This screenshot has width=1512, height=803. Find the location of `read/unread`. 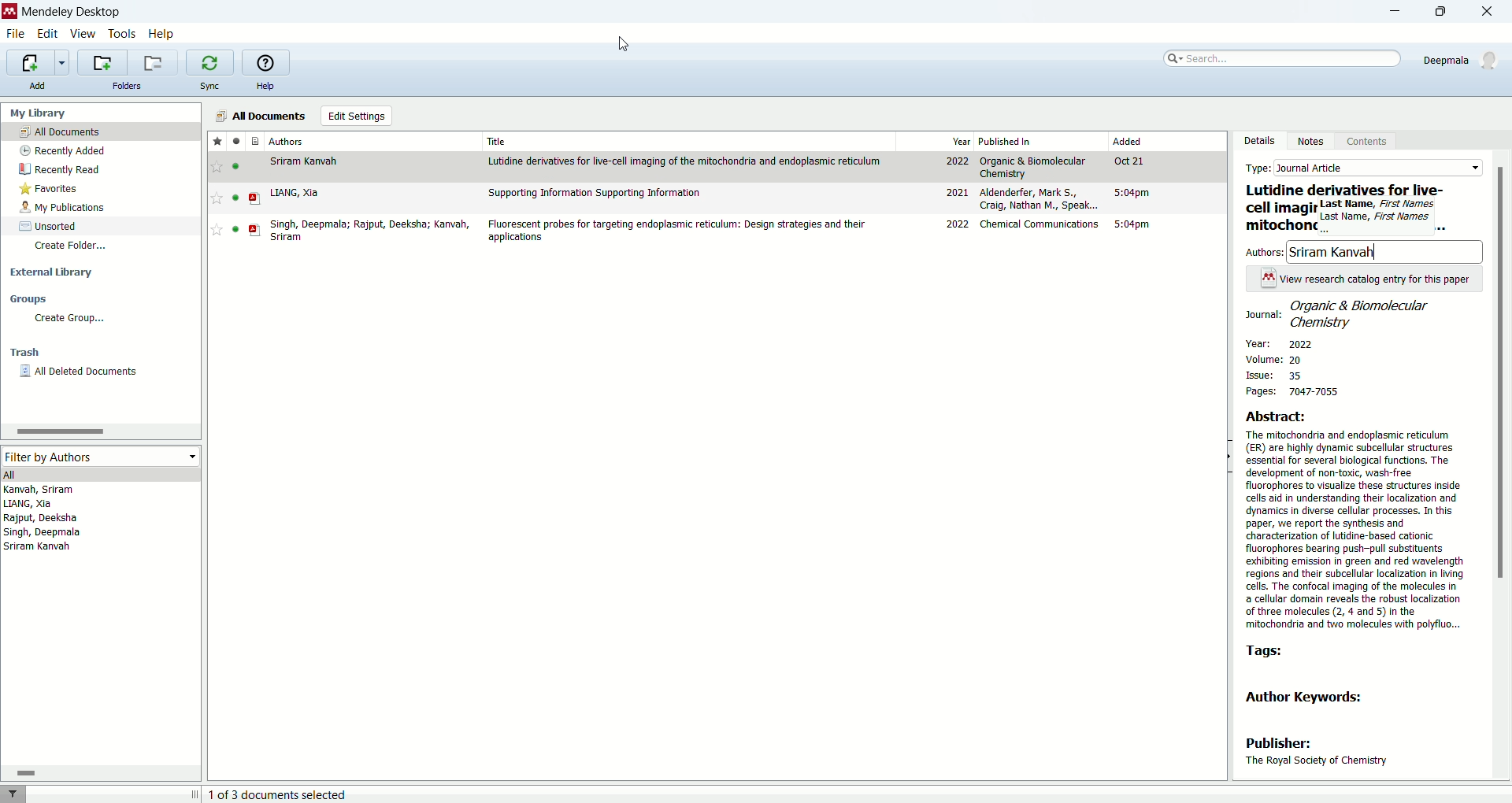

read/unread is located at coordinates (239, 198).